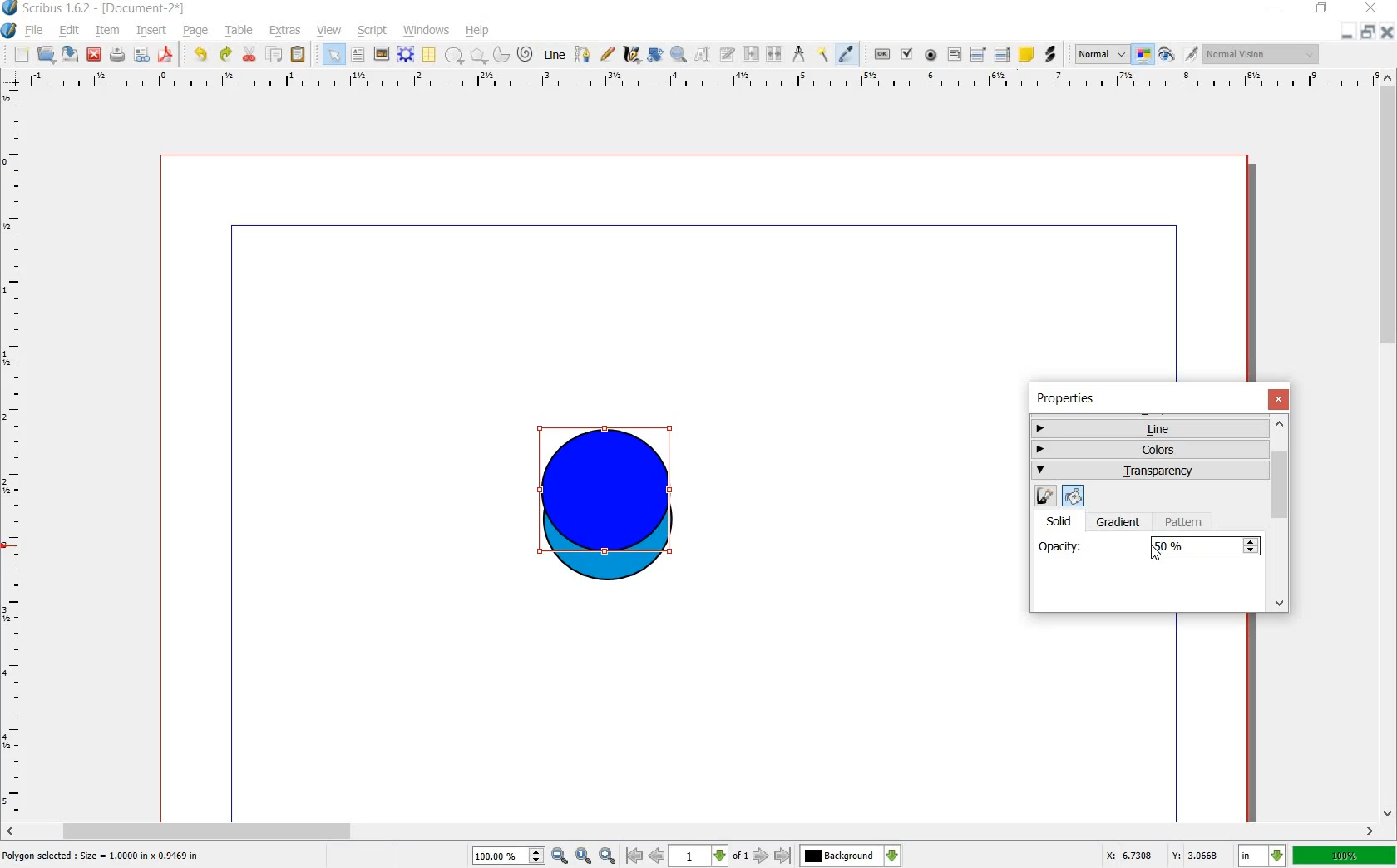 This screenshot has width=1397, height=868. Describe the element at coordinates (426, 31) in the screenshot. I see `windows` at that location.